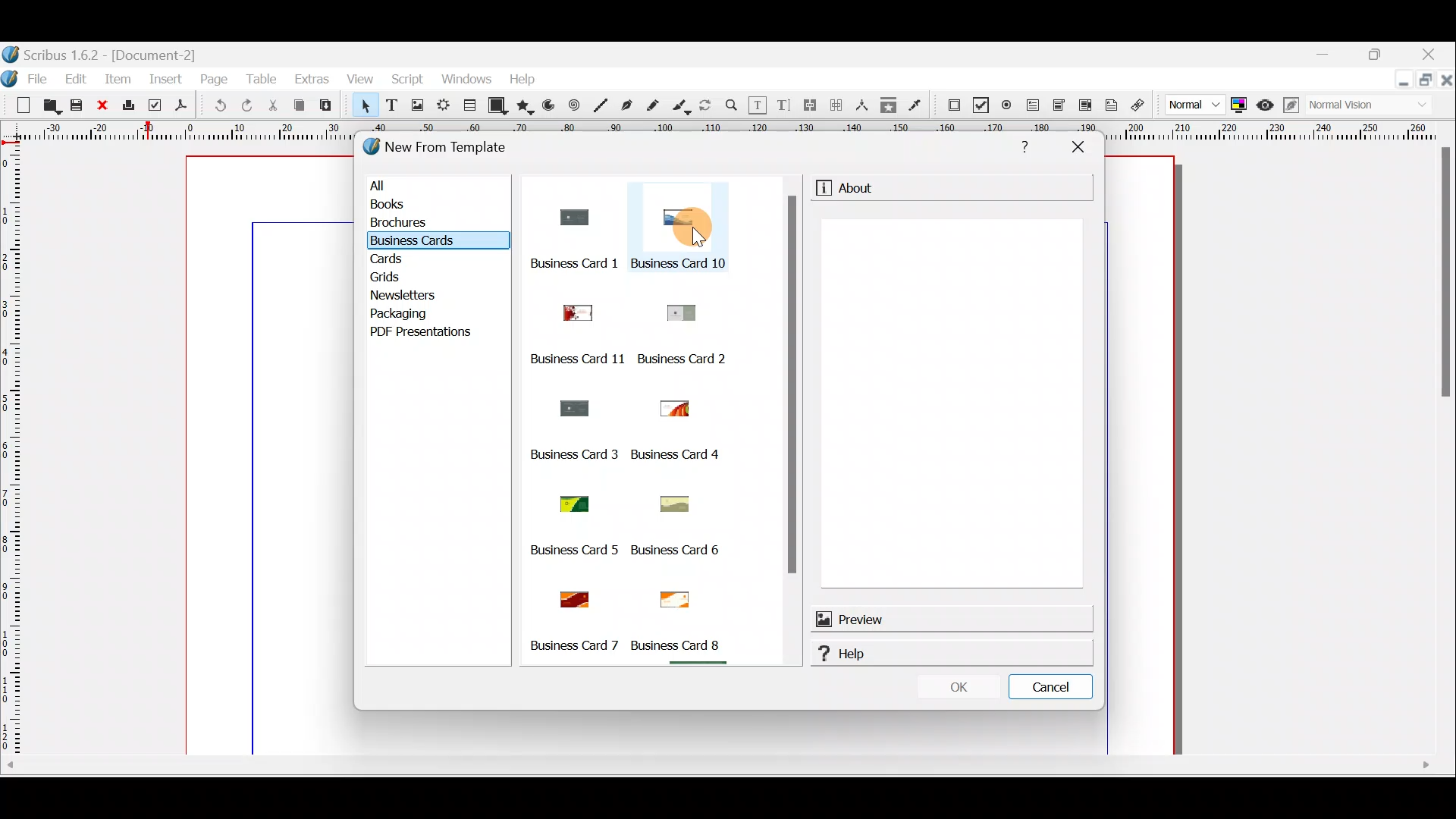  What do you see at coordinates (1079, 152) in the screenshot?
I see `Close` at bounding box center [1079, 152].